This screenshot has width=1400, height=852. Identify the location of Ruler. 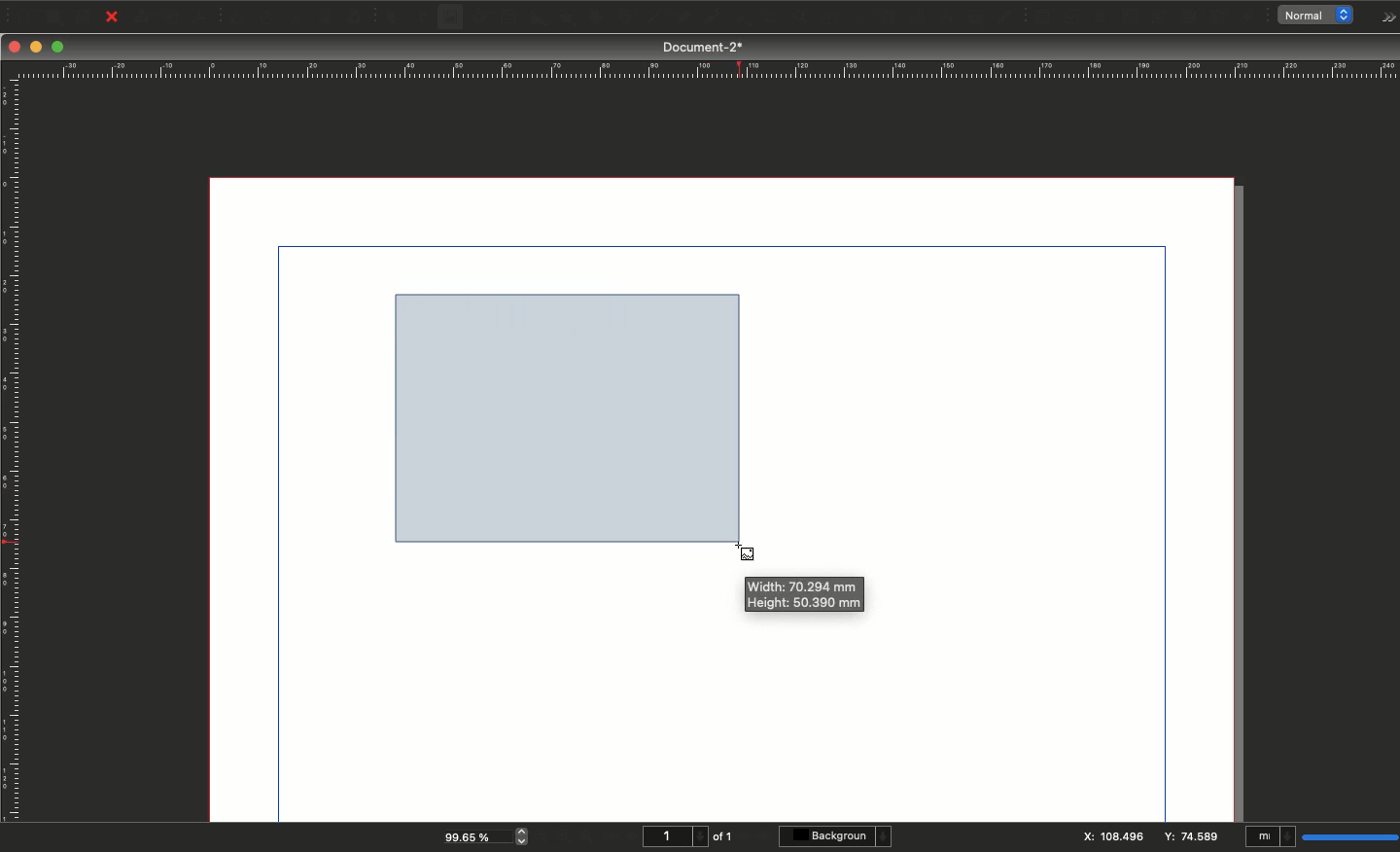
(705, 70).